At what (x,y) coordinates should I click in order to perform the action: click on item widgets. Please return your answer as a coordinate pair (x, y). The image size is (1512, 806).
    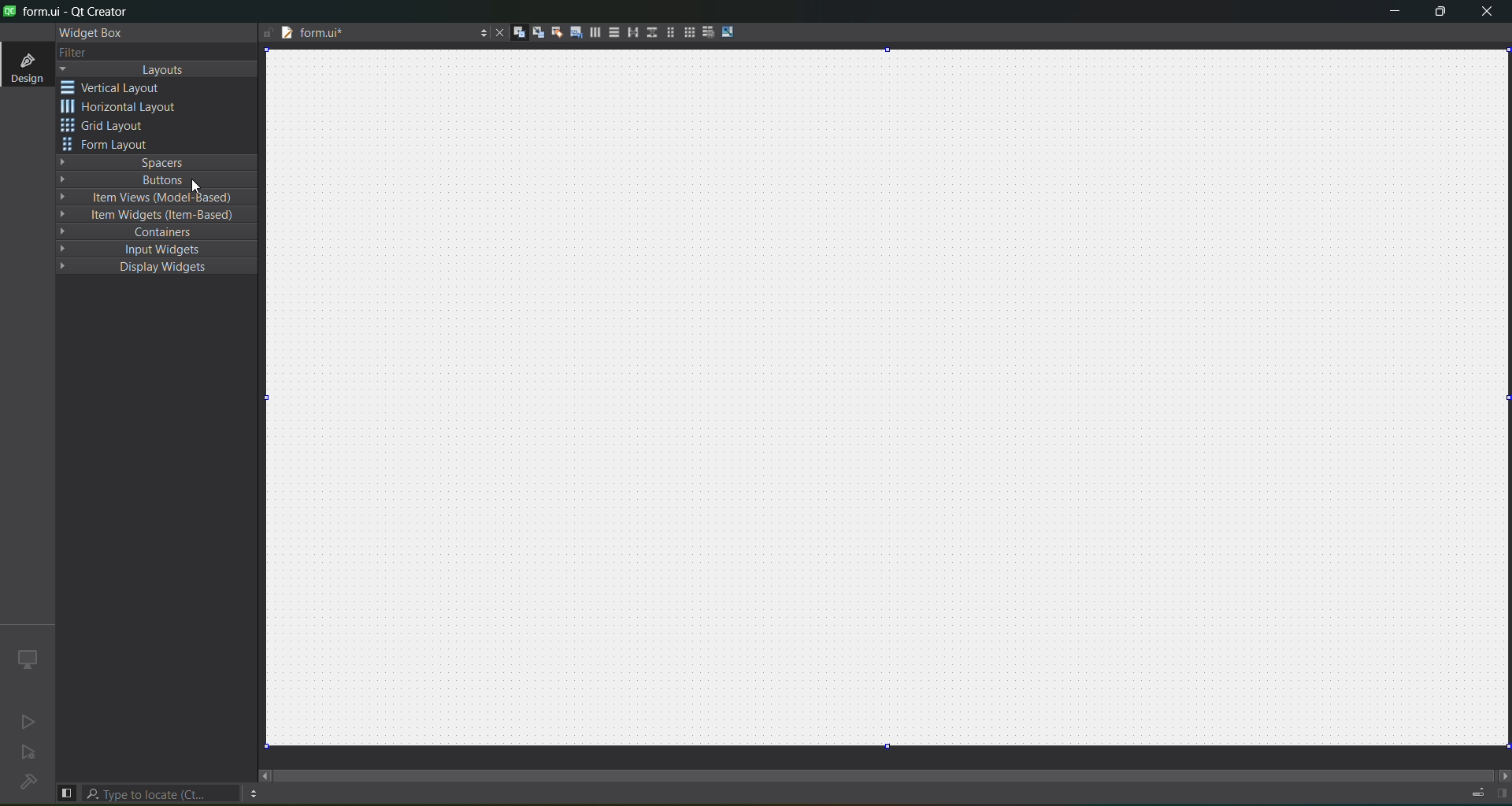
    Looking at the image, I should click on (162, 216).